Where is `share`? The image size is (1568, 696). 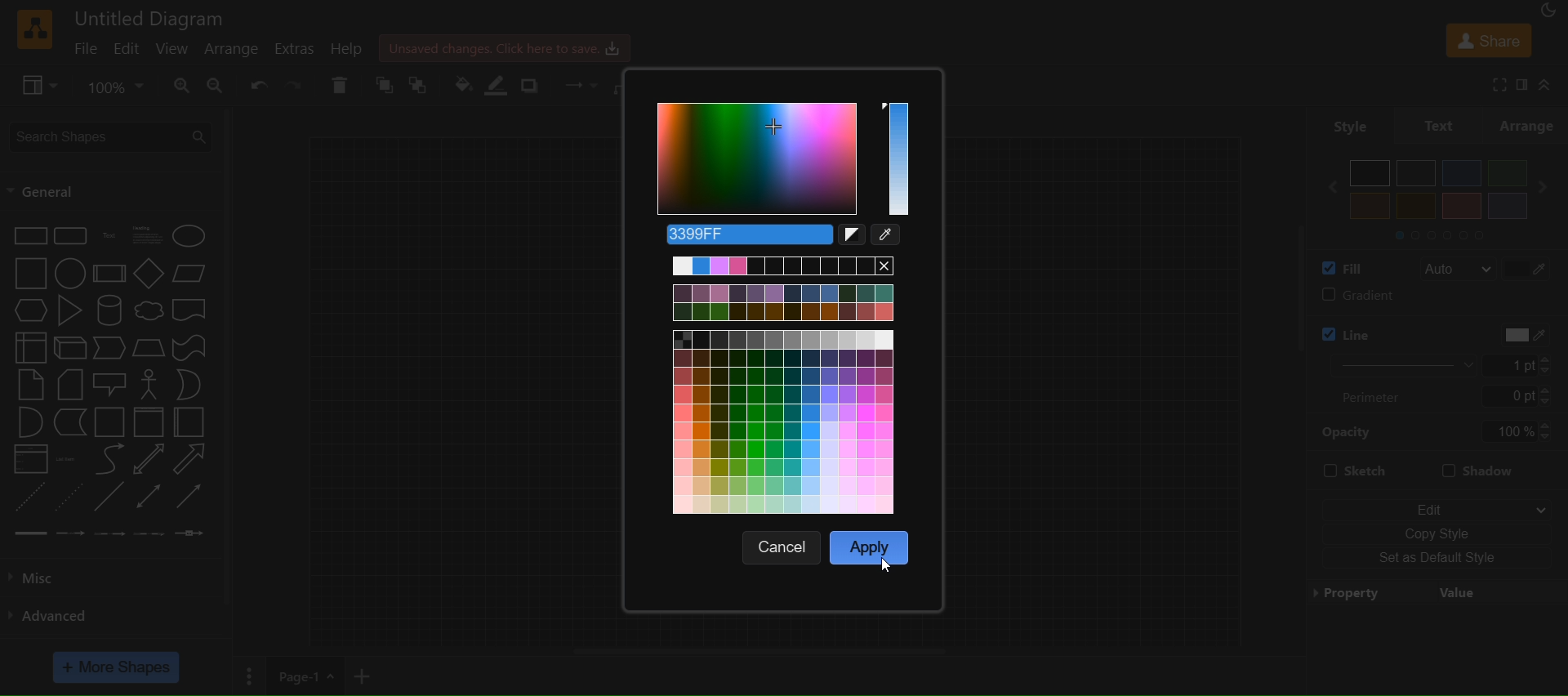 share is located at coordinates (1488, 39).